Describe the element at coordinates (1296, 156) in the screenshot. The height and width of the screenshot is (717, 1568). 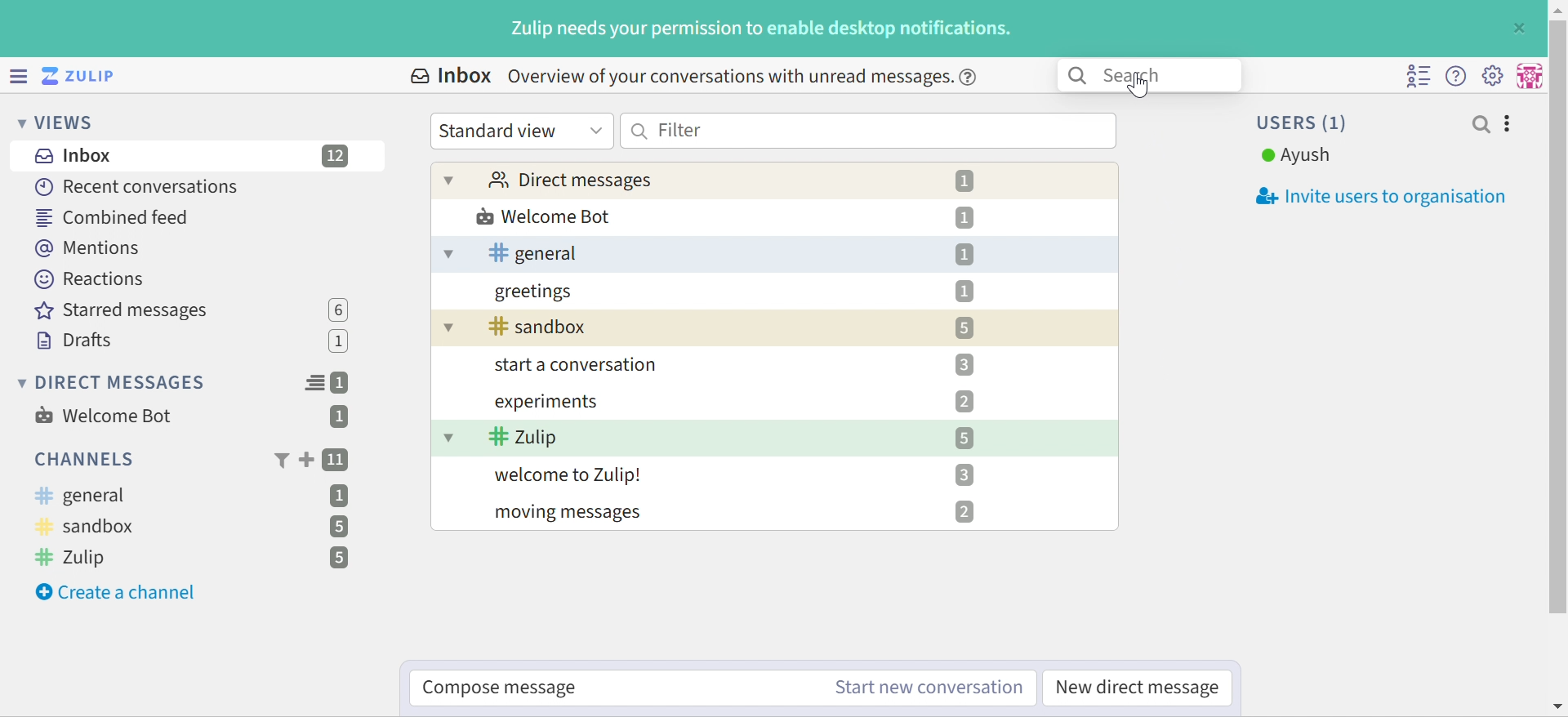
I see `Ayush` at that location.